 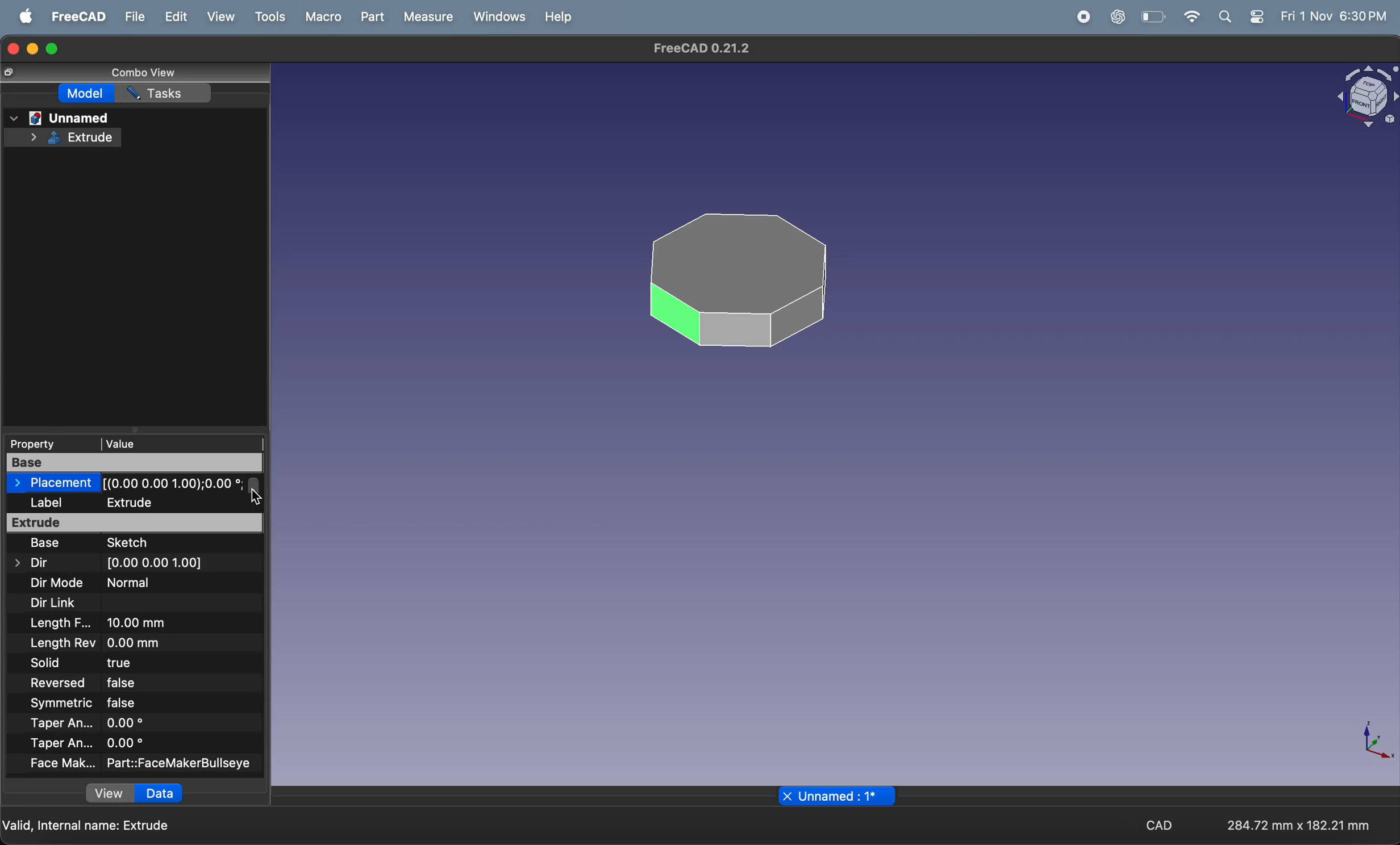 I want to click on wifi, so click(x=1189, y=16).